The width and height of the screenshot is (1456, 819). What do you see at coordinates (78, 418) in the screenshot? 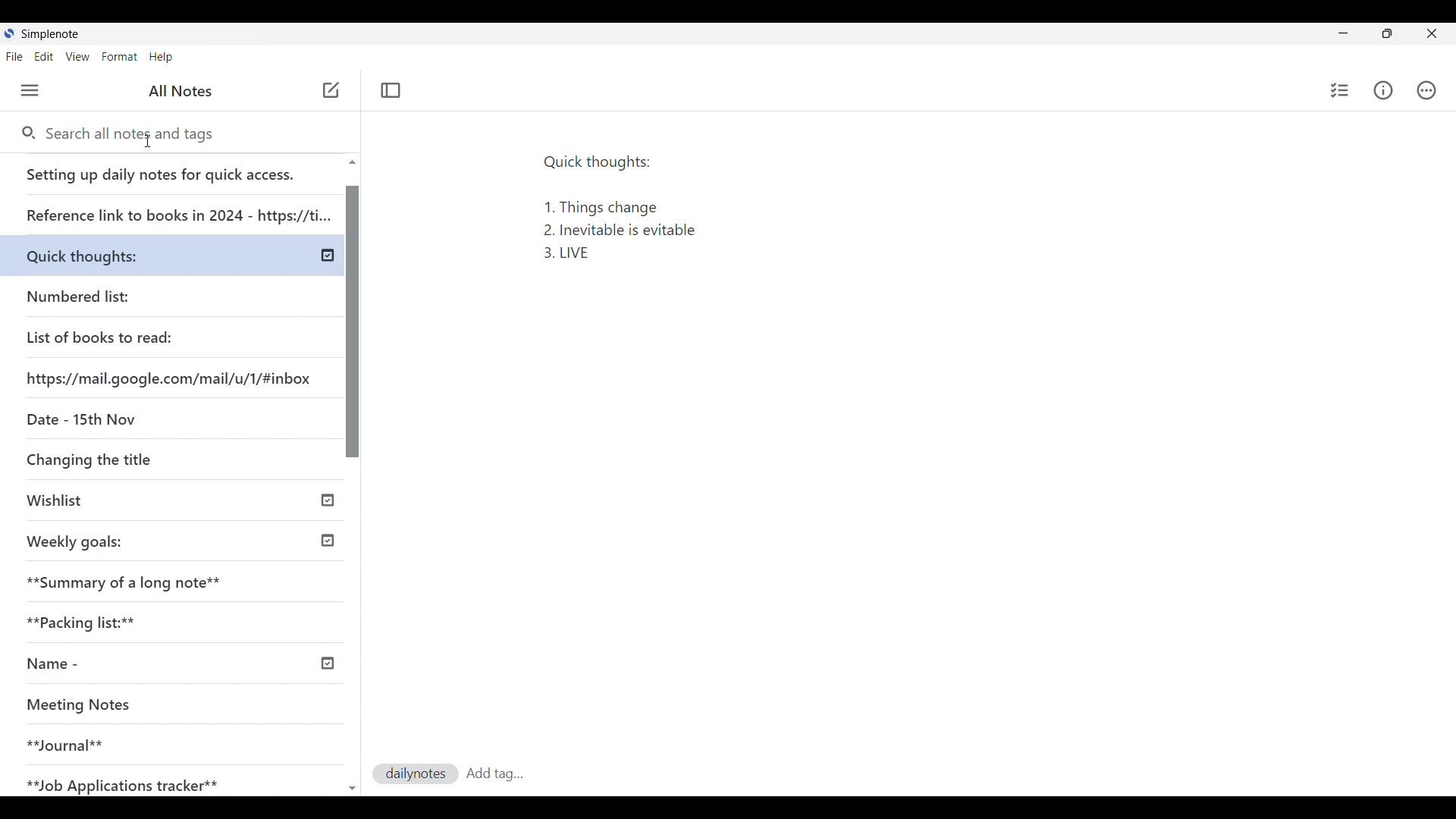
I see `Date` at bounding box center [78, 418].